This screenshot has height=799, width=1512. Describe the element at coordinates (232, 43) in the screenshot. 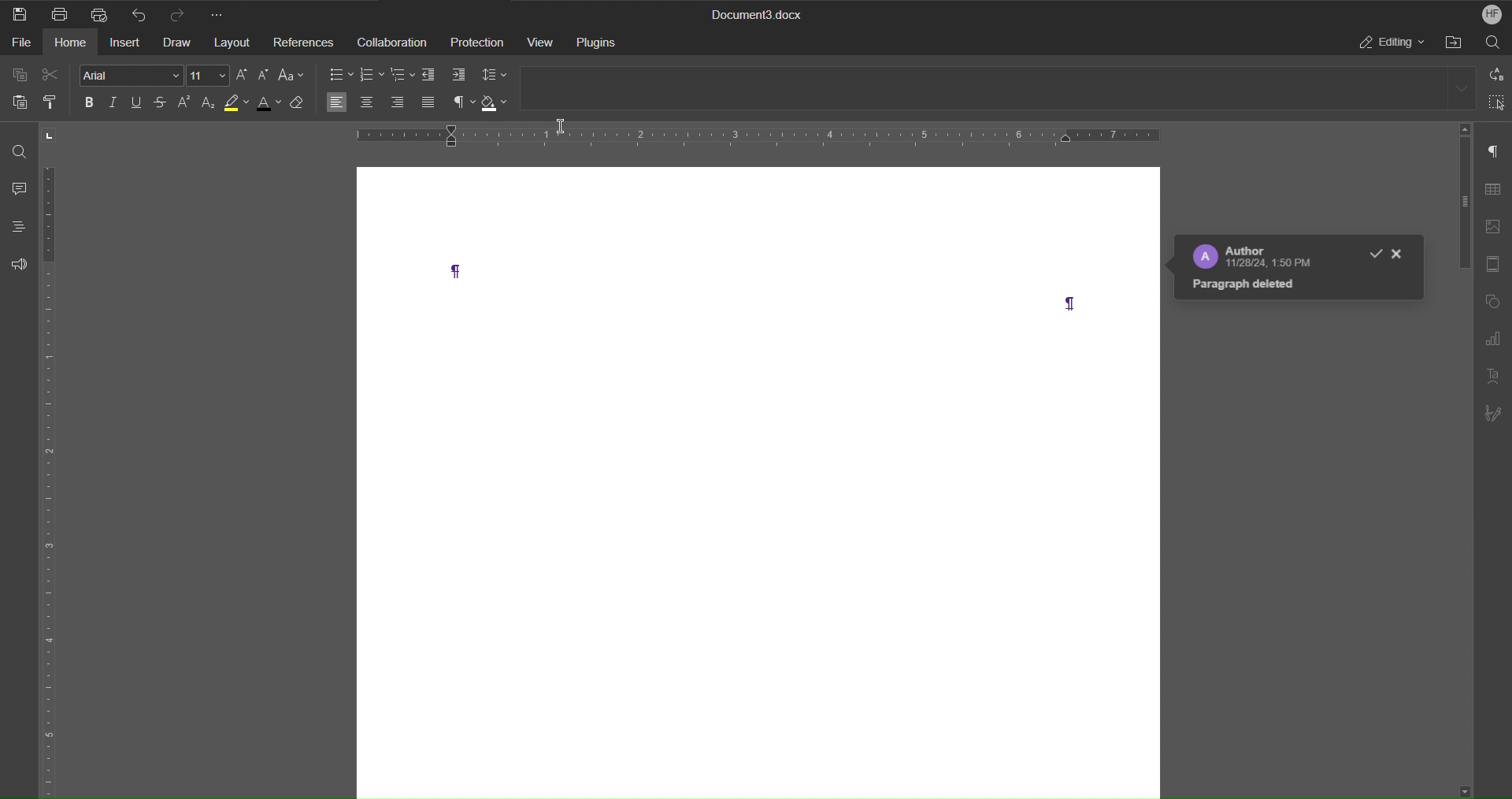

I see `Layout` at that location.